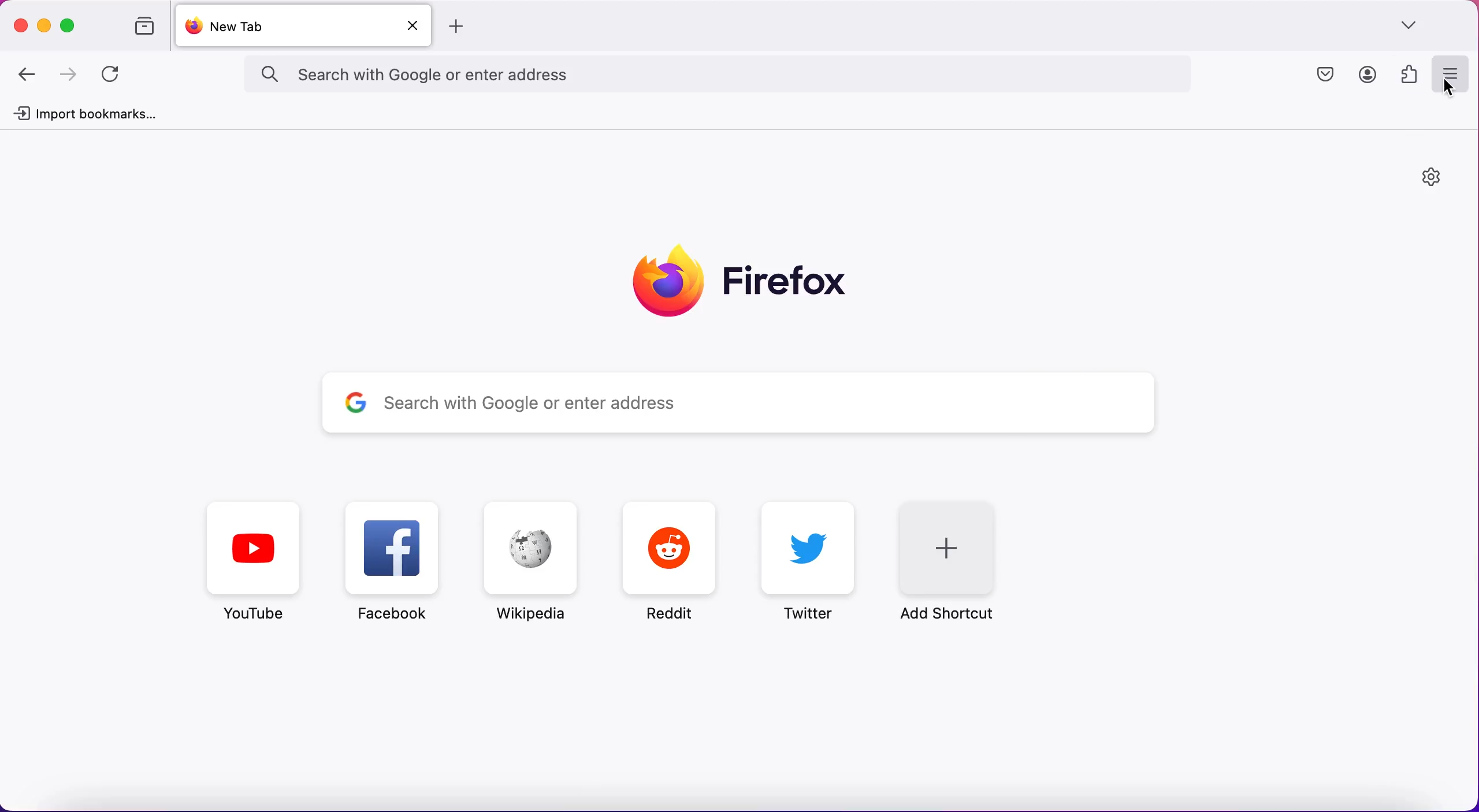 This screenshot has height=812, width=1479. What do you see at coordinates (960, 560) in the screenshot?
I see `add shortcut` at bounding box center [960, 560].